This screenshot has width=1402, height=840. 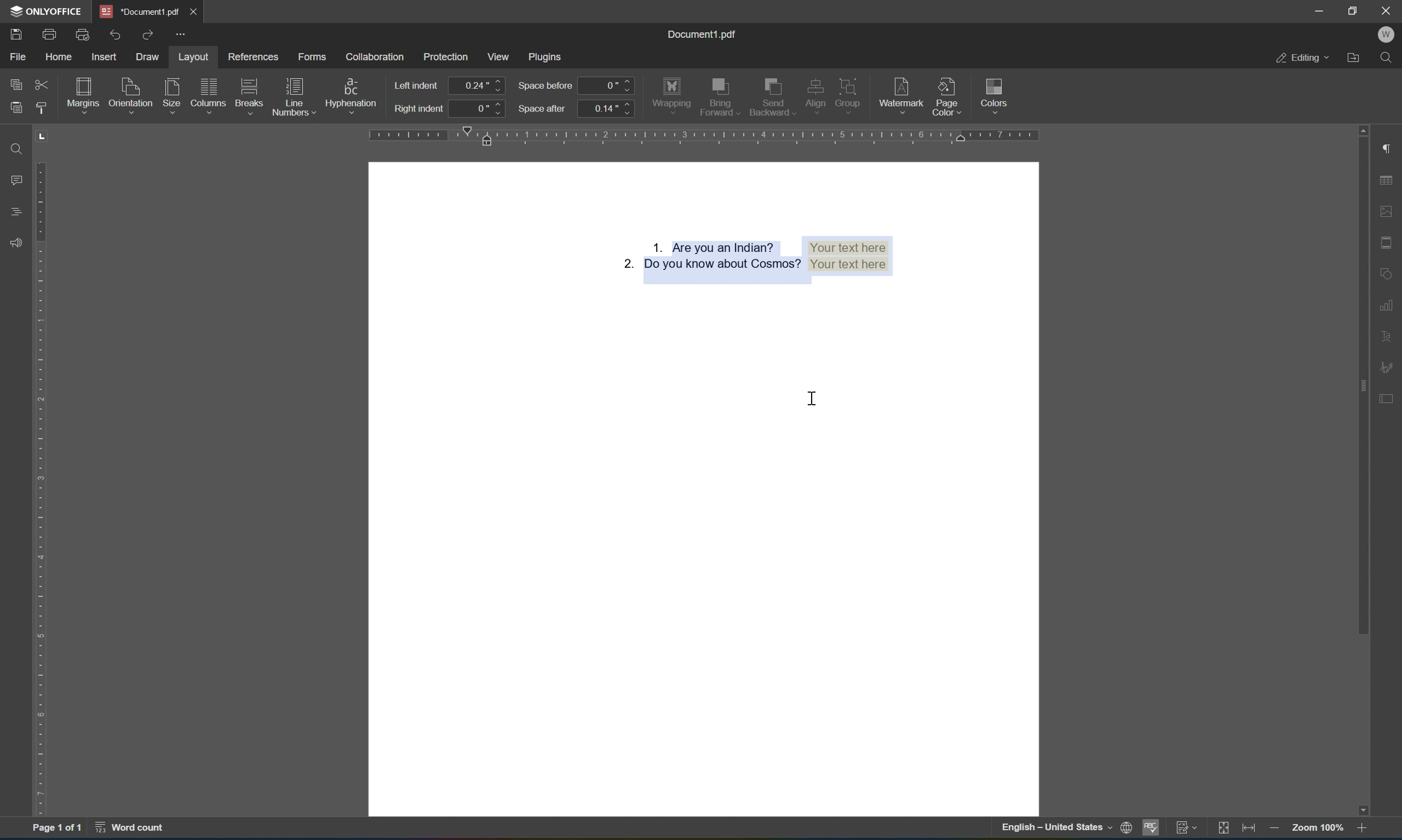 I want to click on Form fields, so click(x=751, y=256).